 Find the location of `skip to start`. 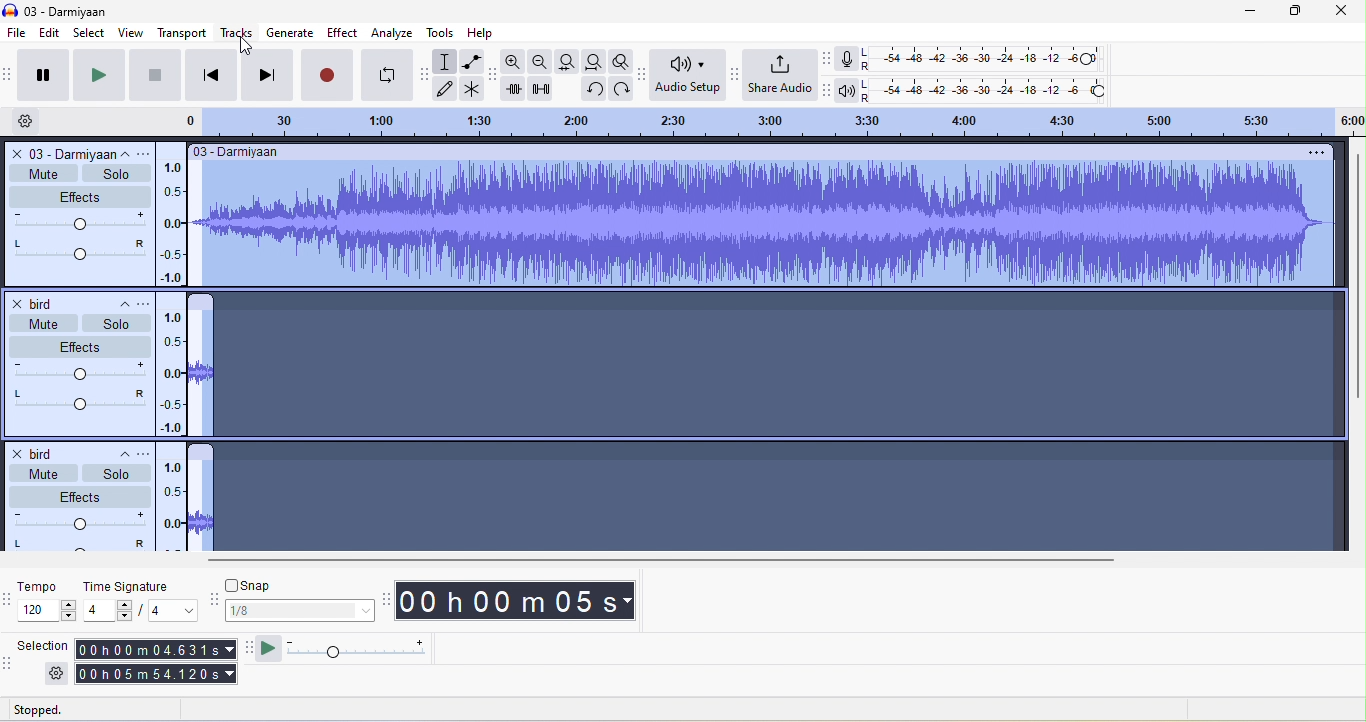

skip to start is located at coordinates (210, 74).